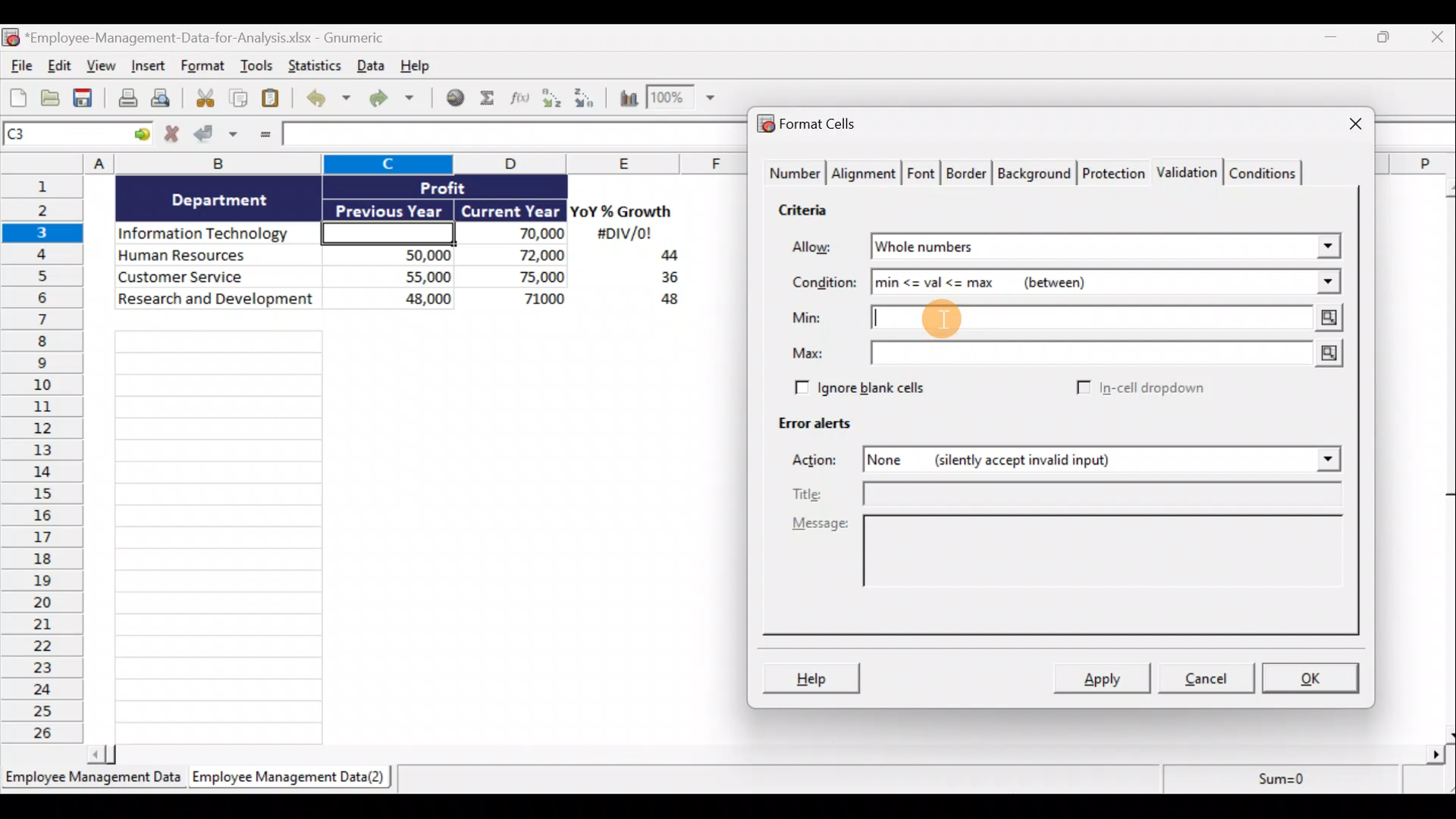 This screenshot has width=1456, height=819. What do you see at coordinates (865, 174) in the screenshot?
I see `Alignment` at bounding box center [865, 174].